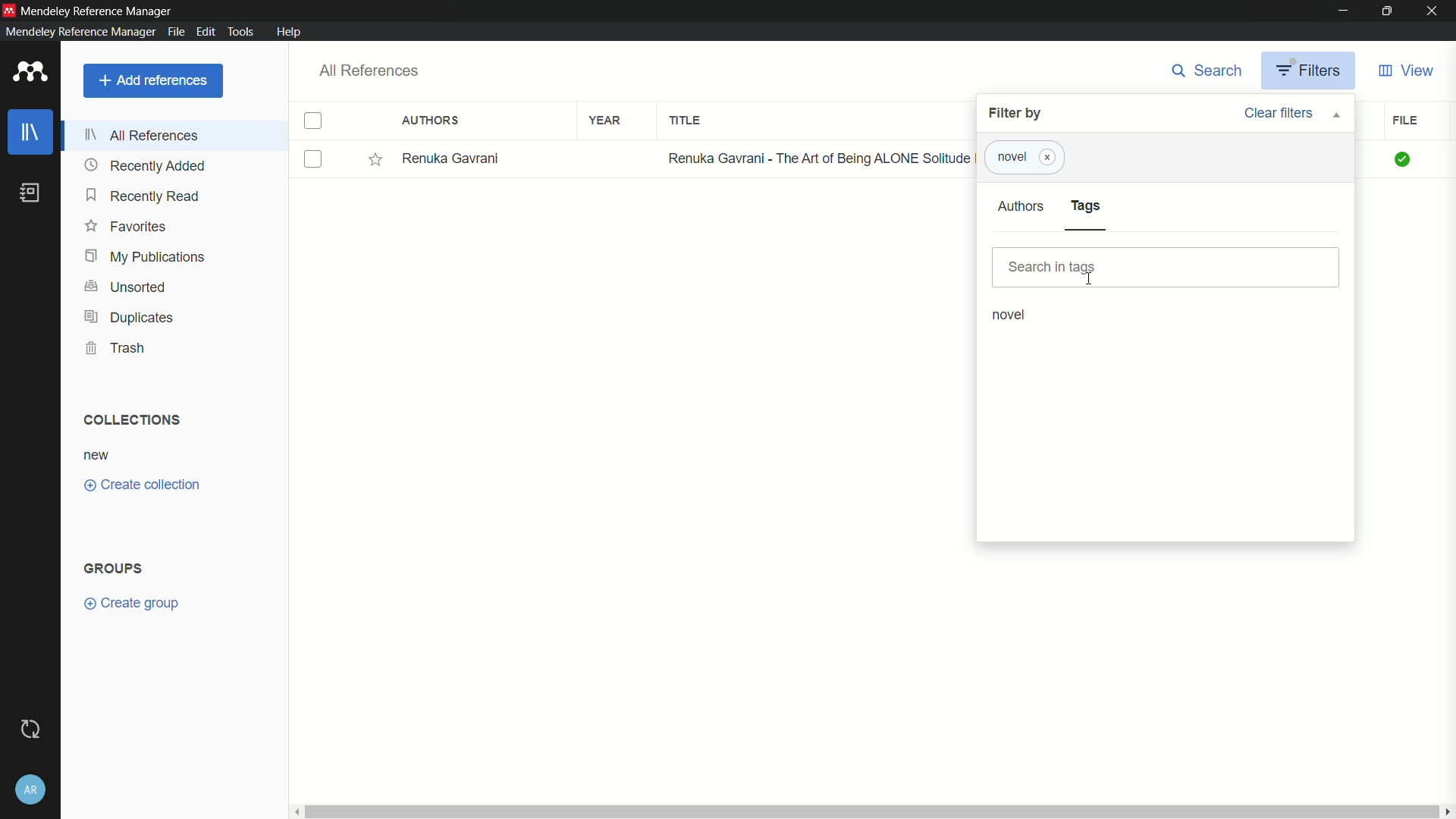 The image size is (1456, 819). Describe the element at coordinates (130, 317) in the screenshot. I see `duplicates` at that location.